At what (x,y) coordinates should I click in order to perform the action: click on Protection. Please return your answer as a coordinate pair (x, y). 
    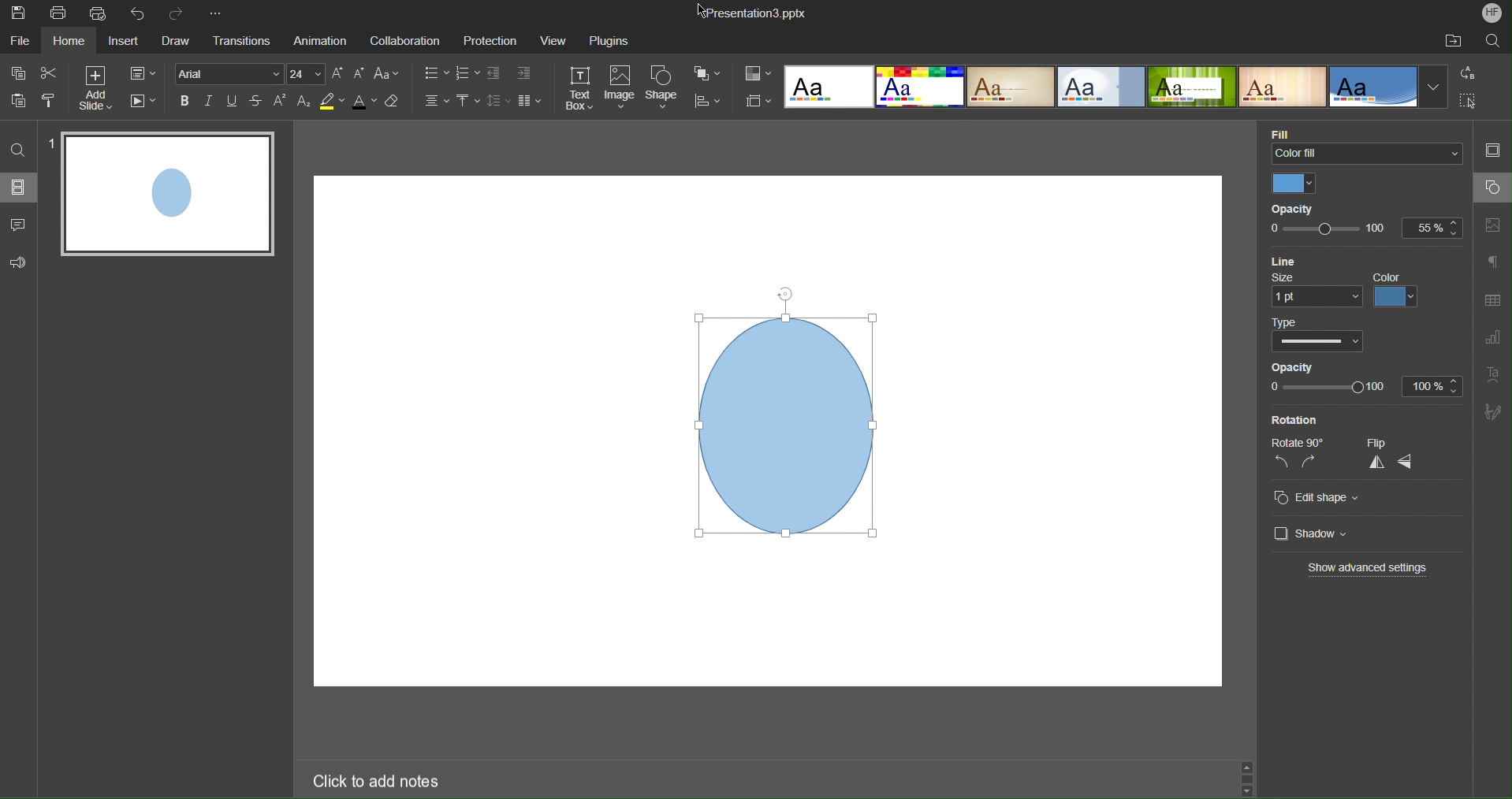
    Looking at the image, I should click on (492, 40).